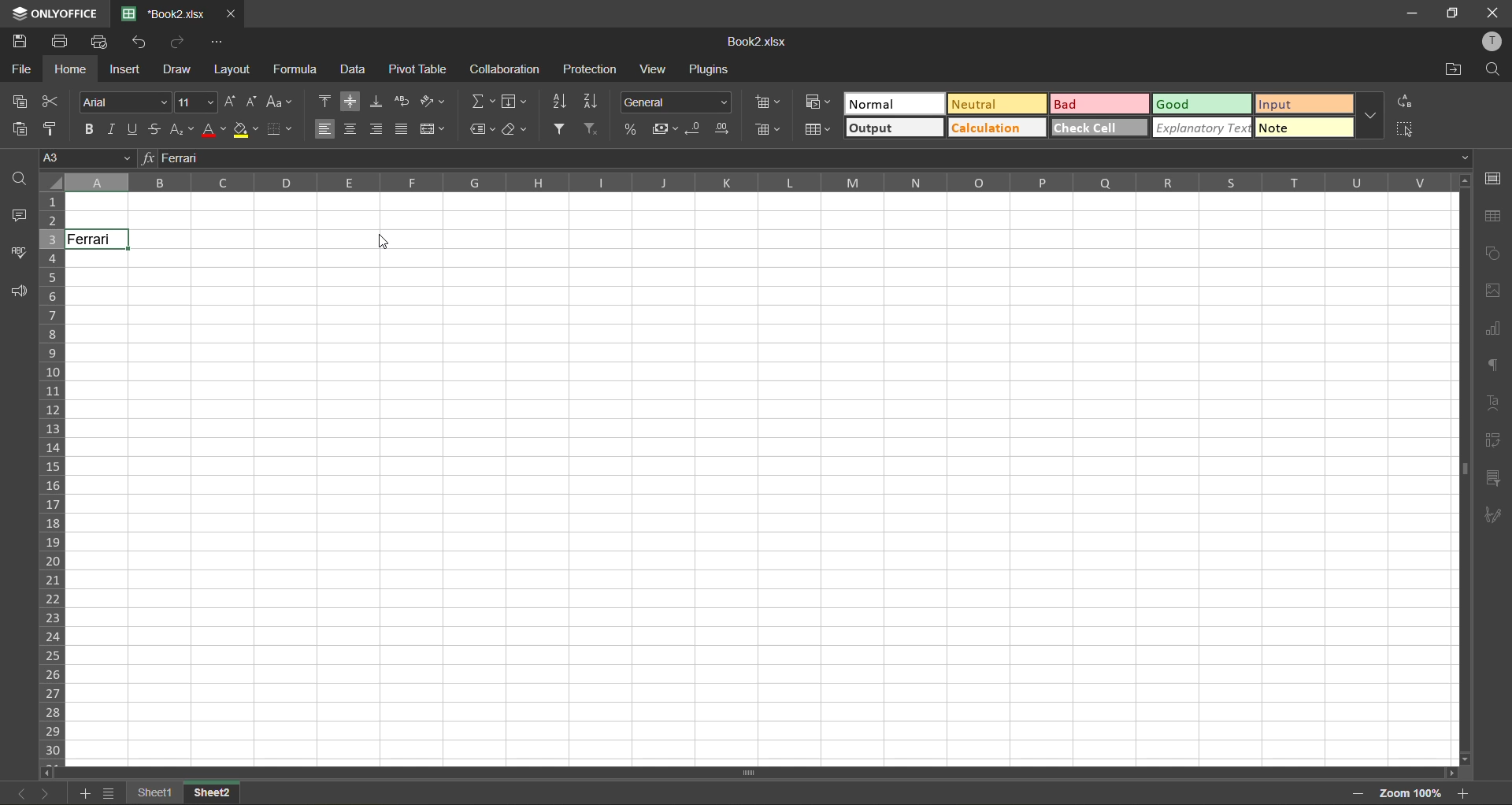 The image size is (1512, 805). Describe the element at coordinates (19, 253) in the screenshot. I see `spellcheck` at that location.